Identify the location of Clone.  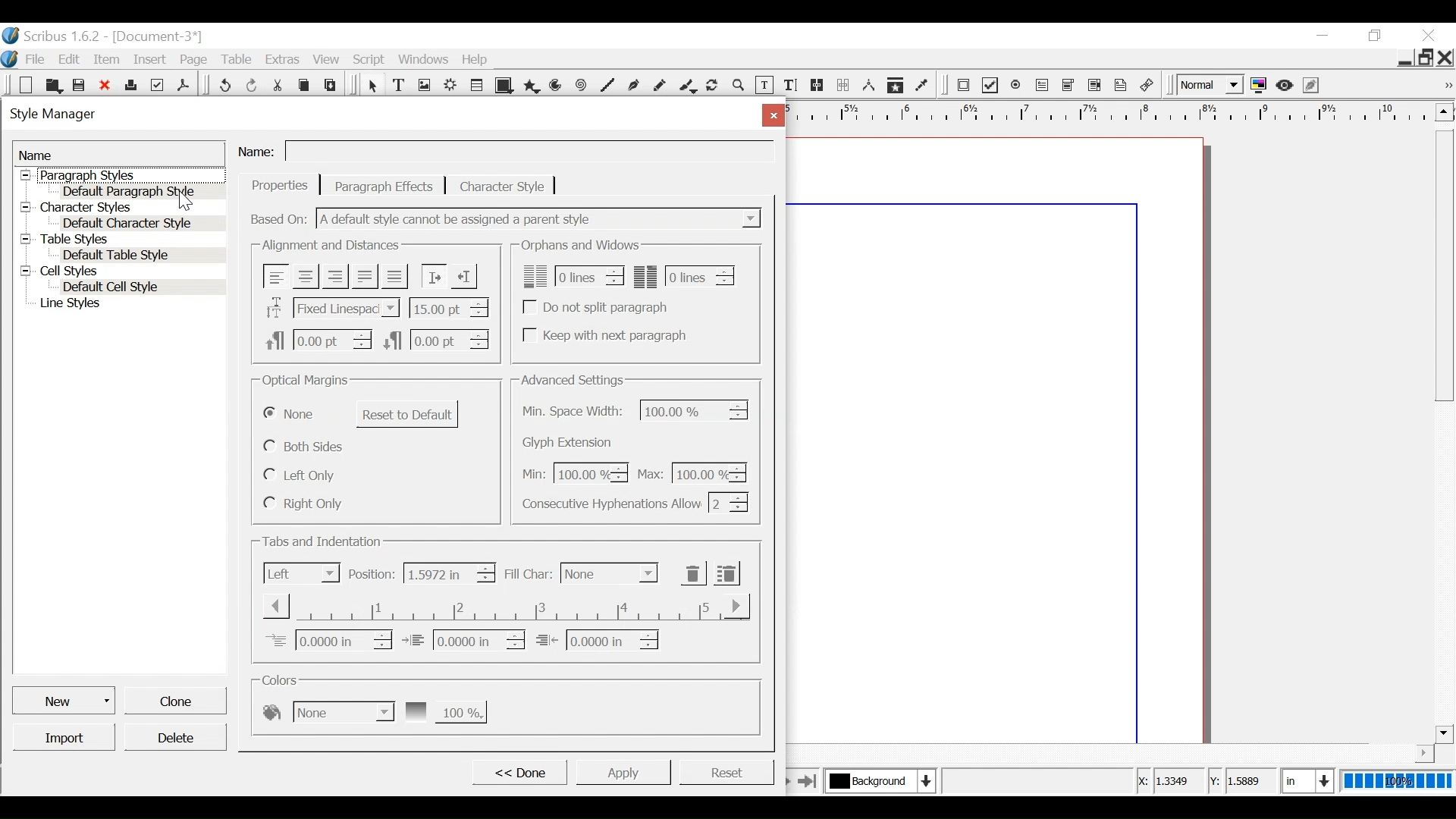
(174, 699).